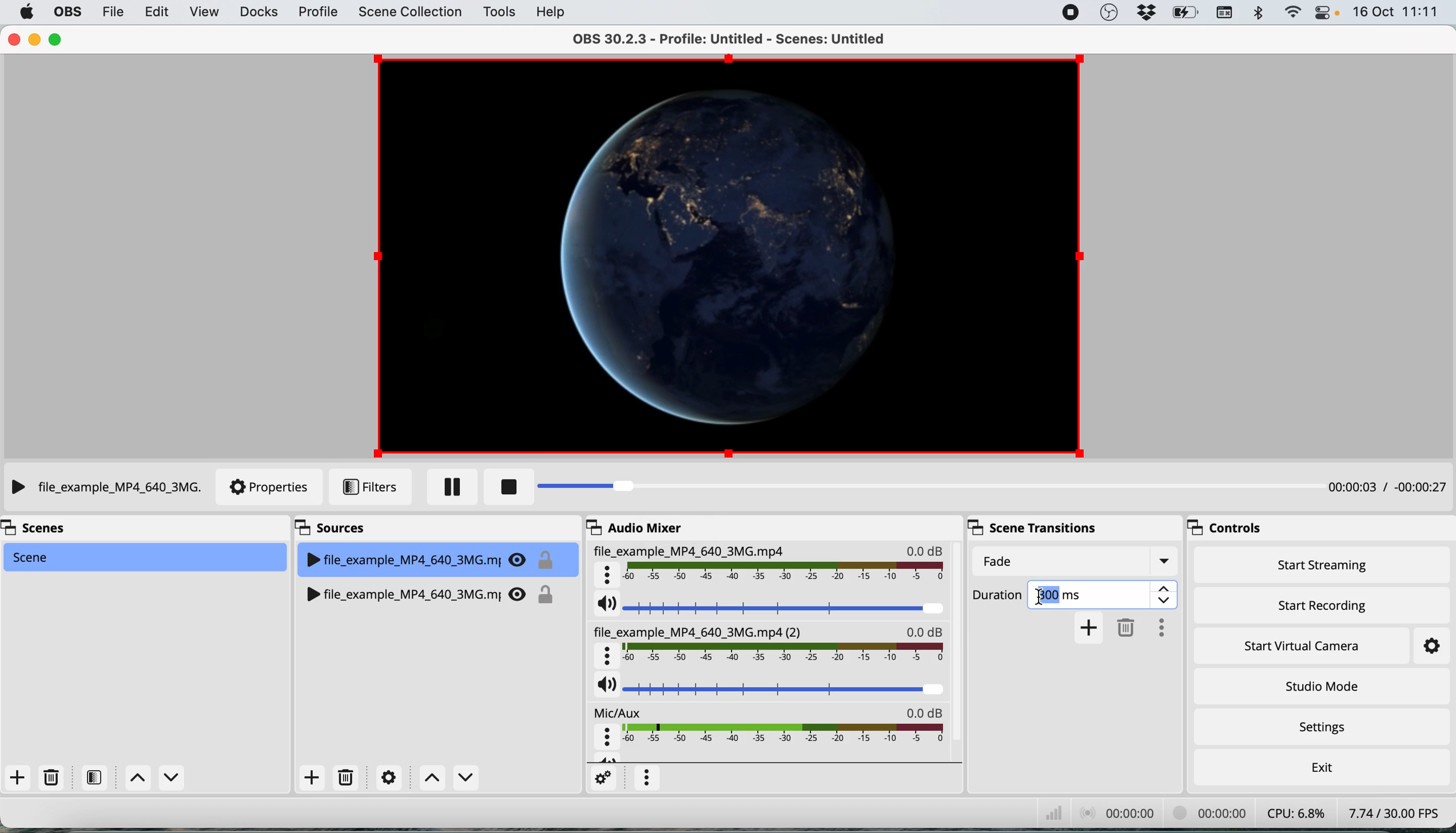  Describe the element at coordinates (1307, 646) in the screenshot. I see `start virtual camera` at that location.